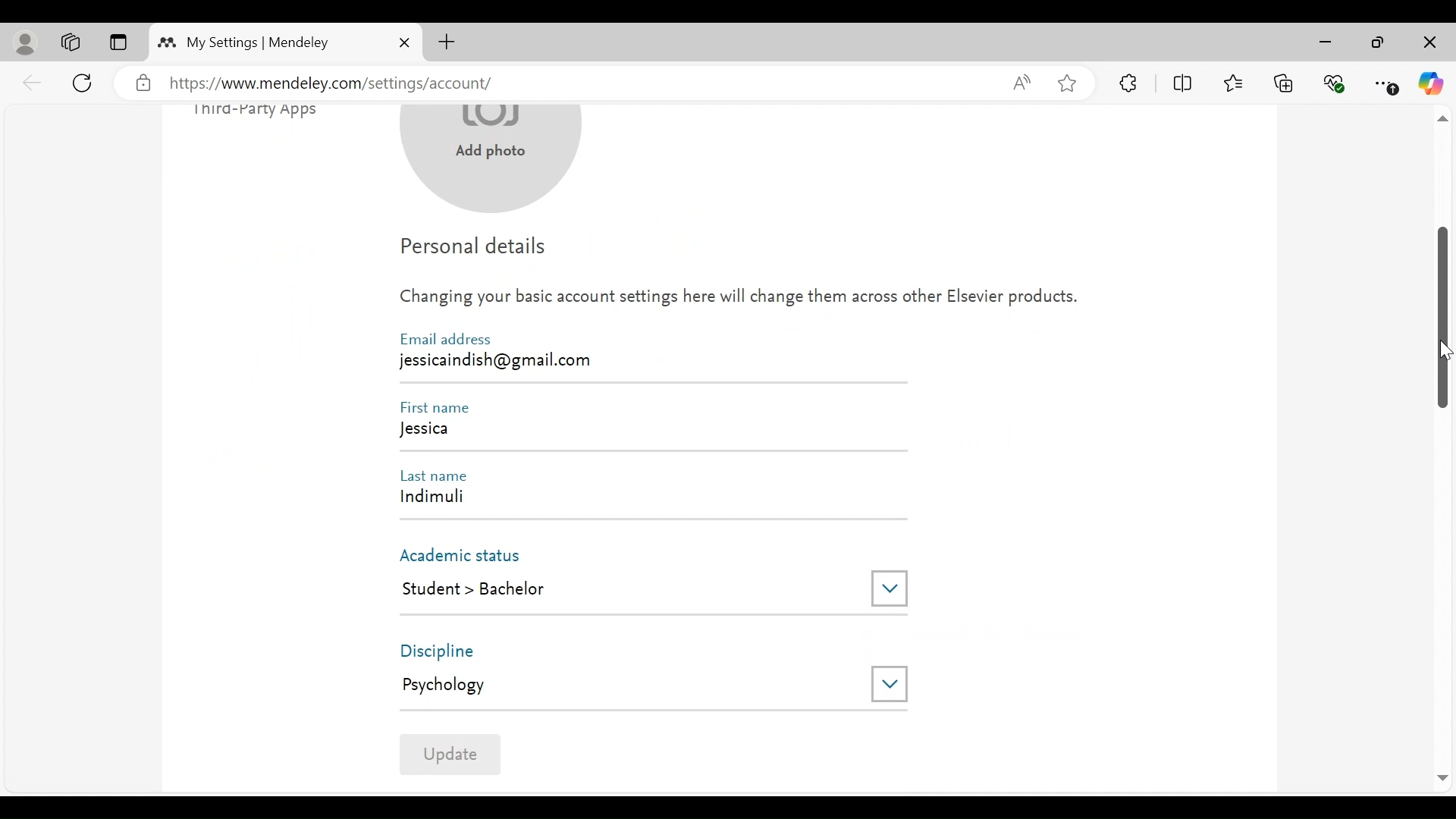 This screenshot has width=1456, height=819. I want to click on Email Address, so click(445, 339).